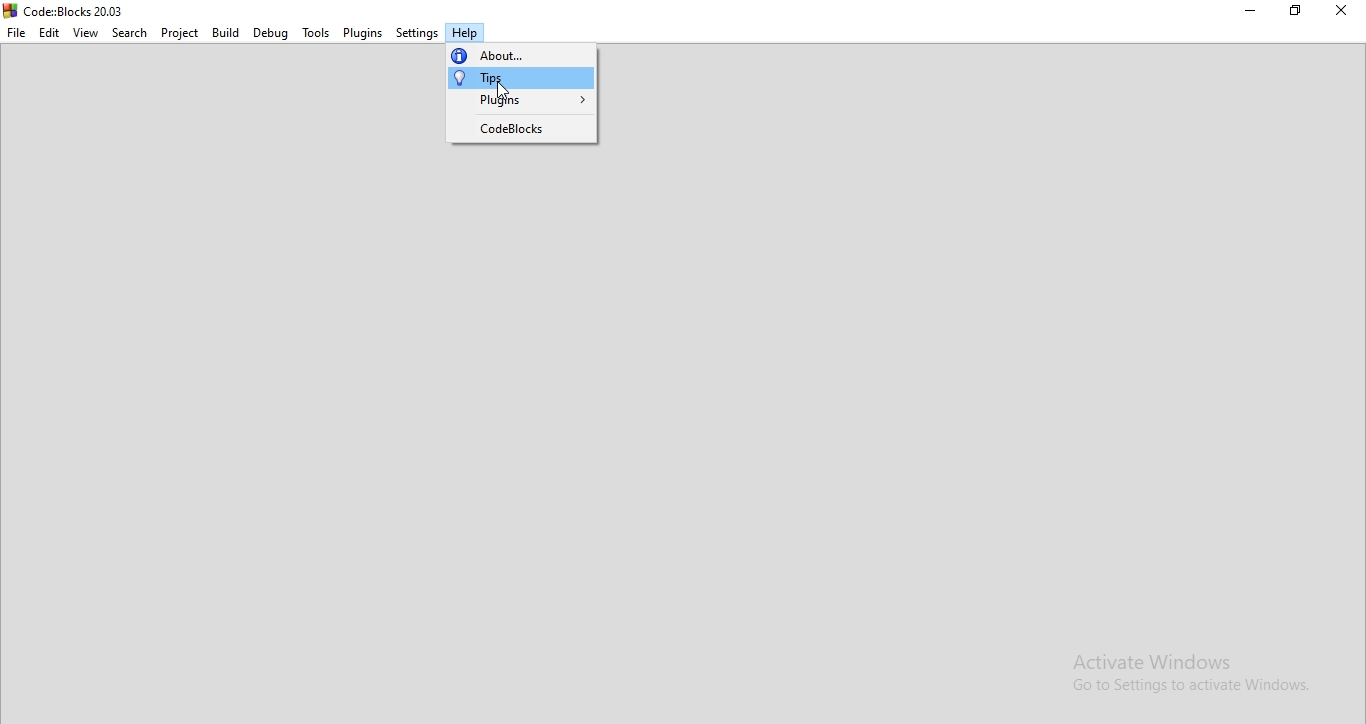 The width and height of the screenshot is (1366, 724). Describe the element at coordinates (522, 103) in the screenshot. I see `plugins` at that location.